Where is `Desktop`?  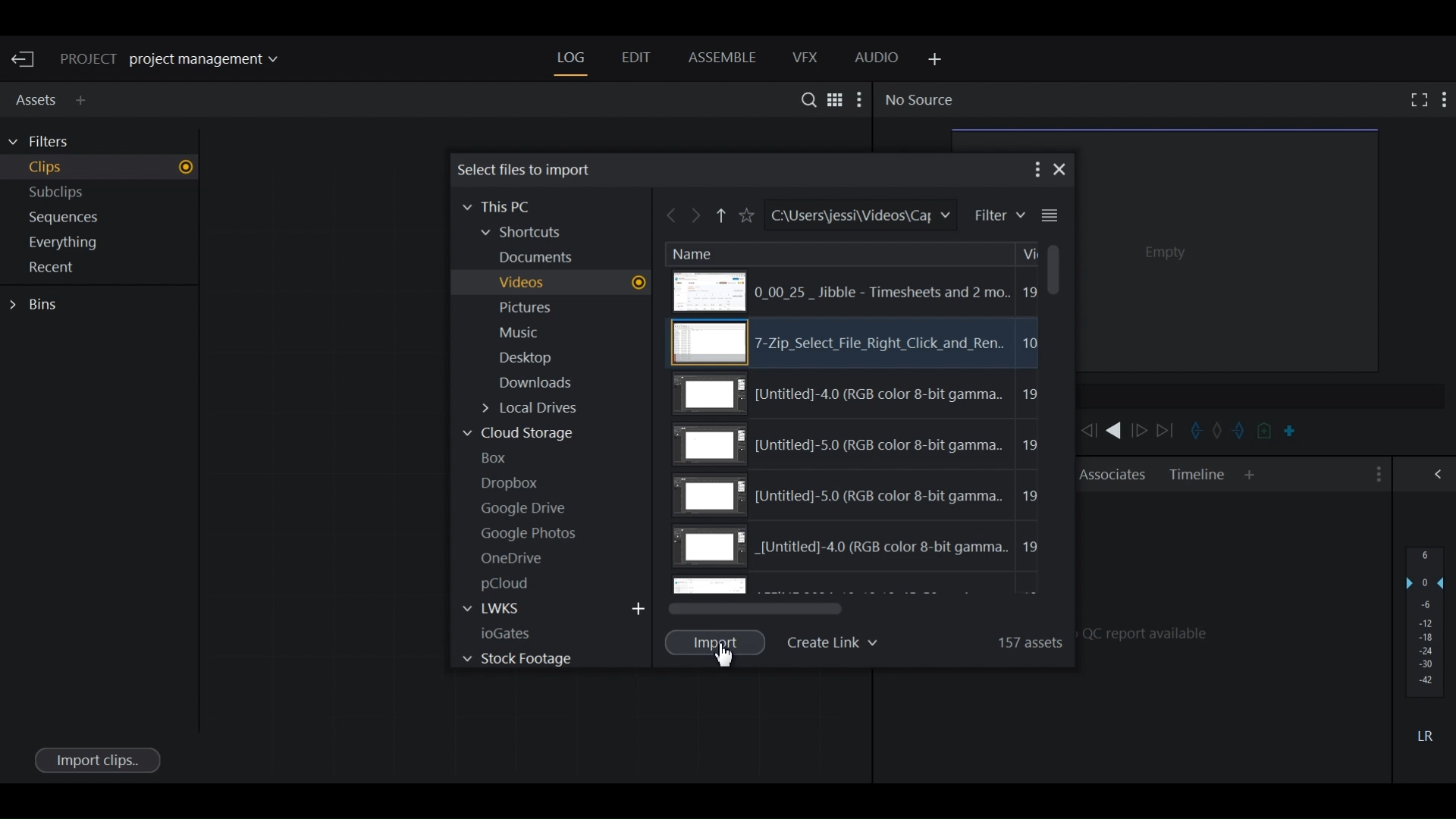
Desktop is located at coordinates (533, 359).